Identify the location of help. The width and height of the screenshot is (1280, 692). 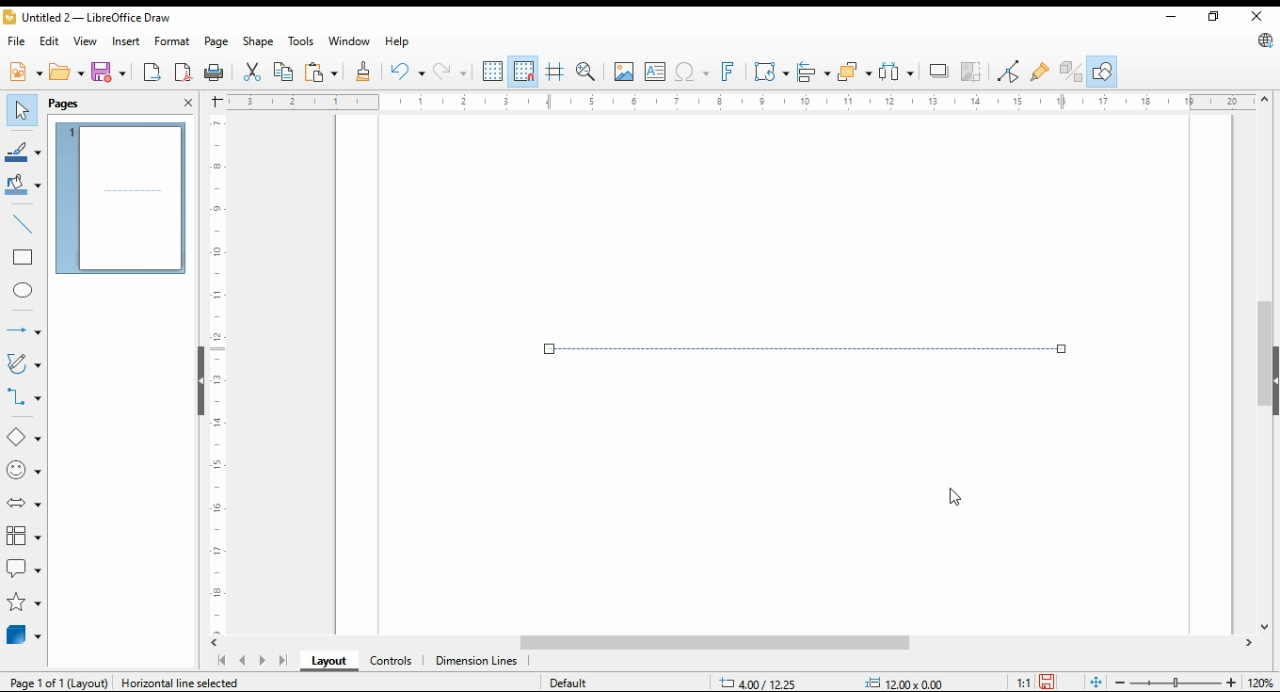
(397, 41).